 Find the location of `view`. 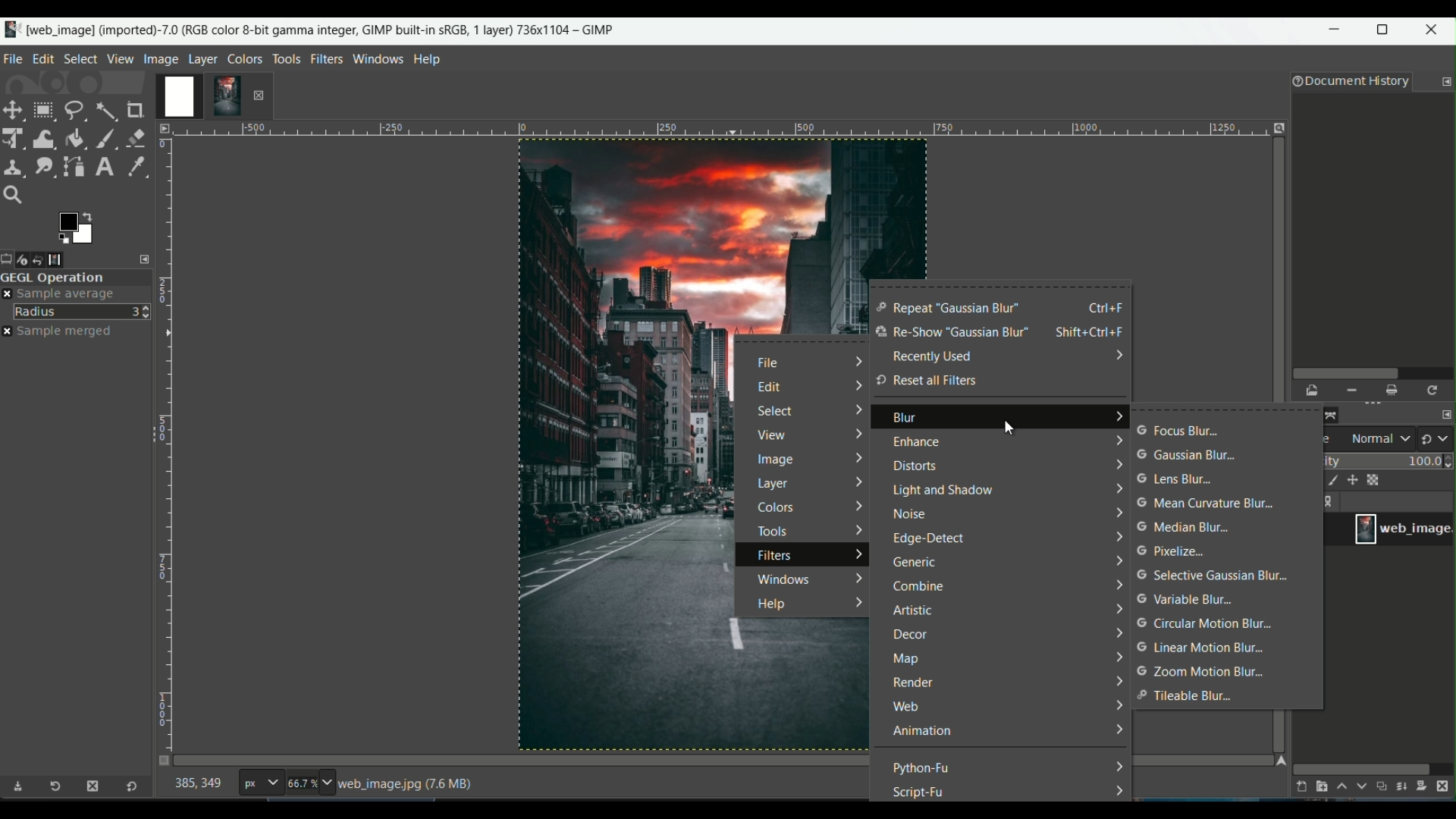

view is located at coordinates (770, 438).